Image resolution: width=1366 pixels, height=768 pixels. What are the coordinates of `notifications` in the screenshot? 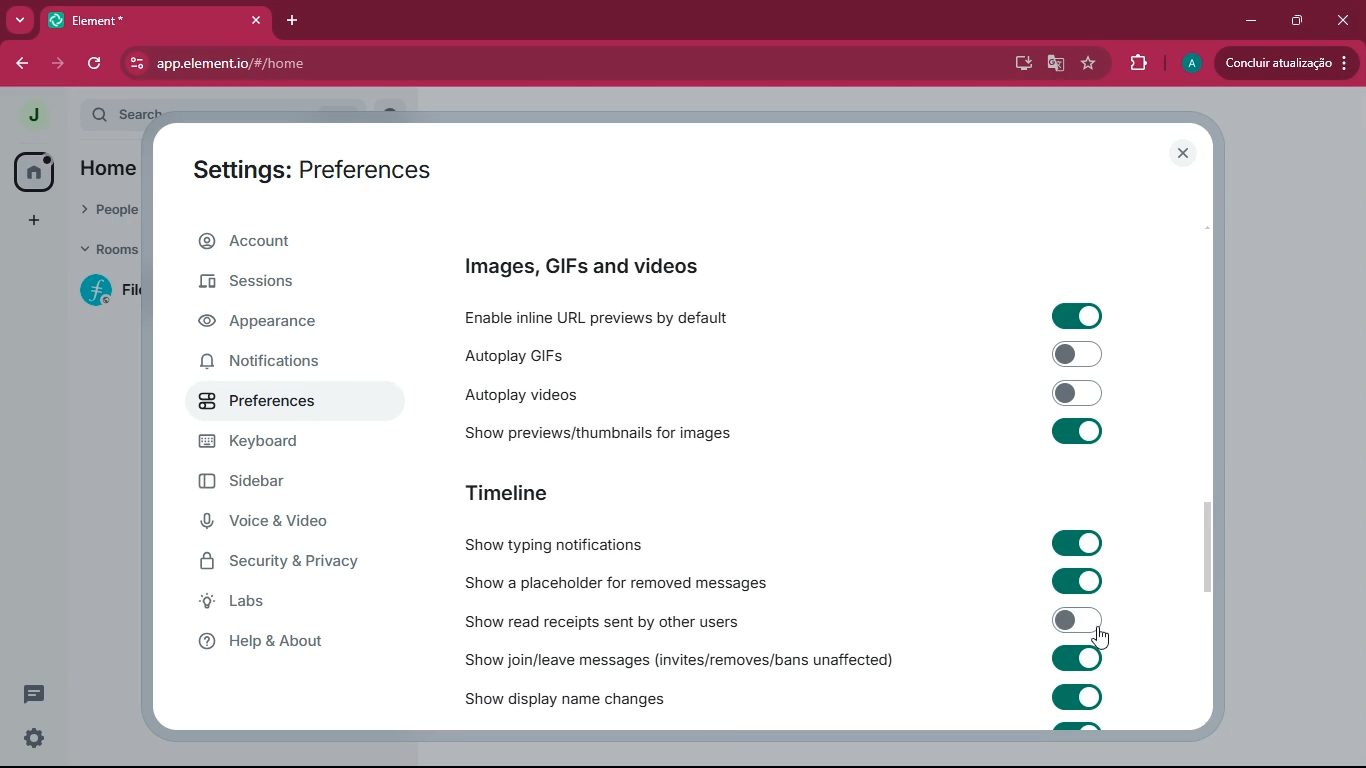 It's located at (280, 363).